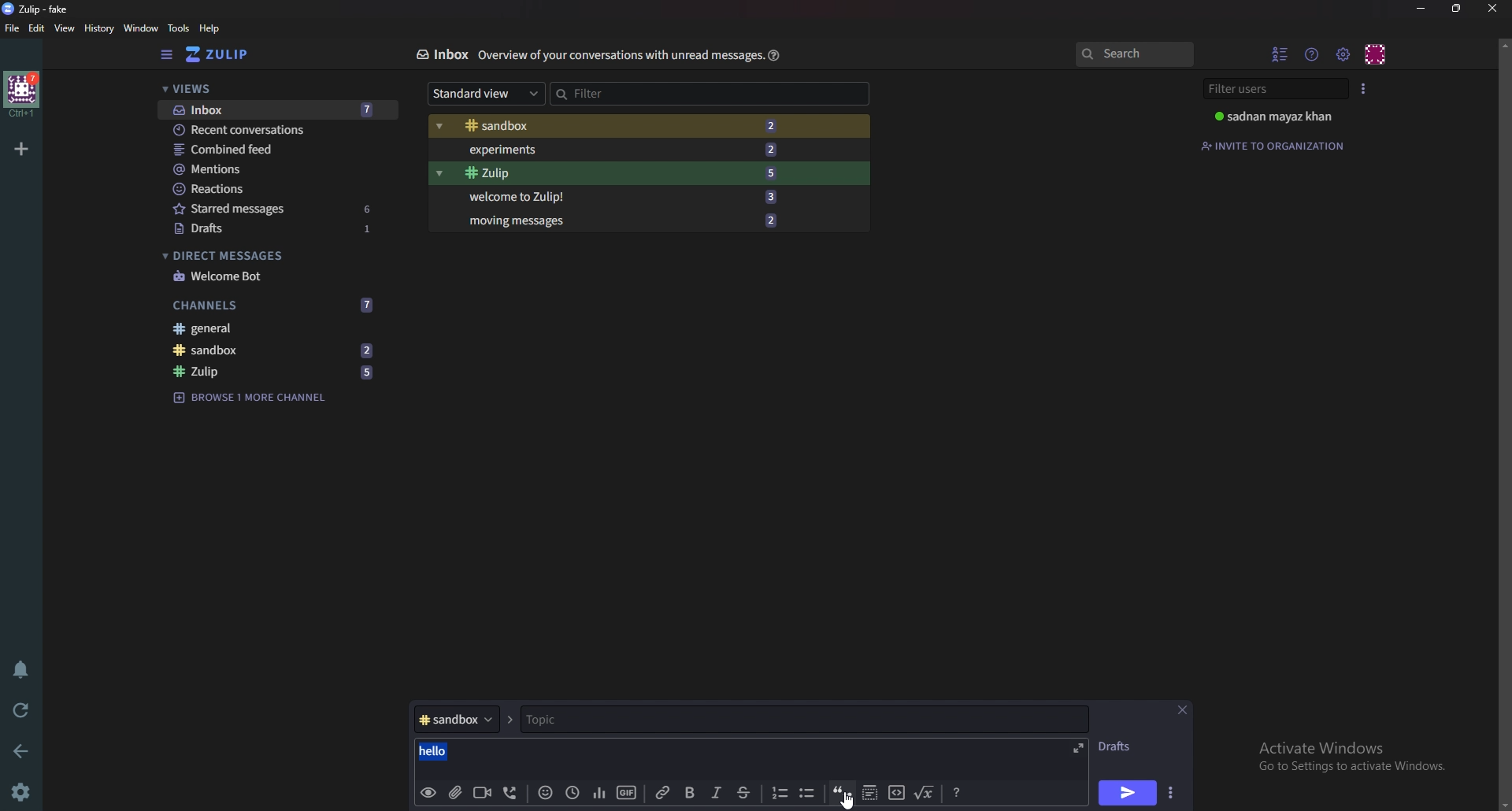  I want to click on Welcome bot, so click(275, 277).